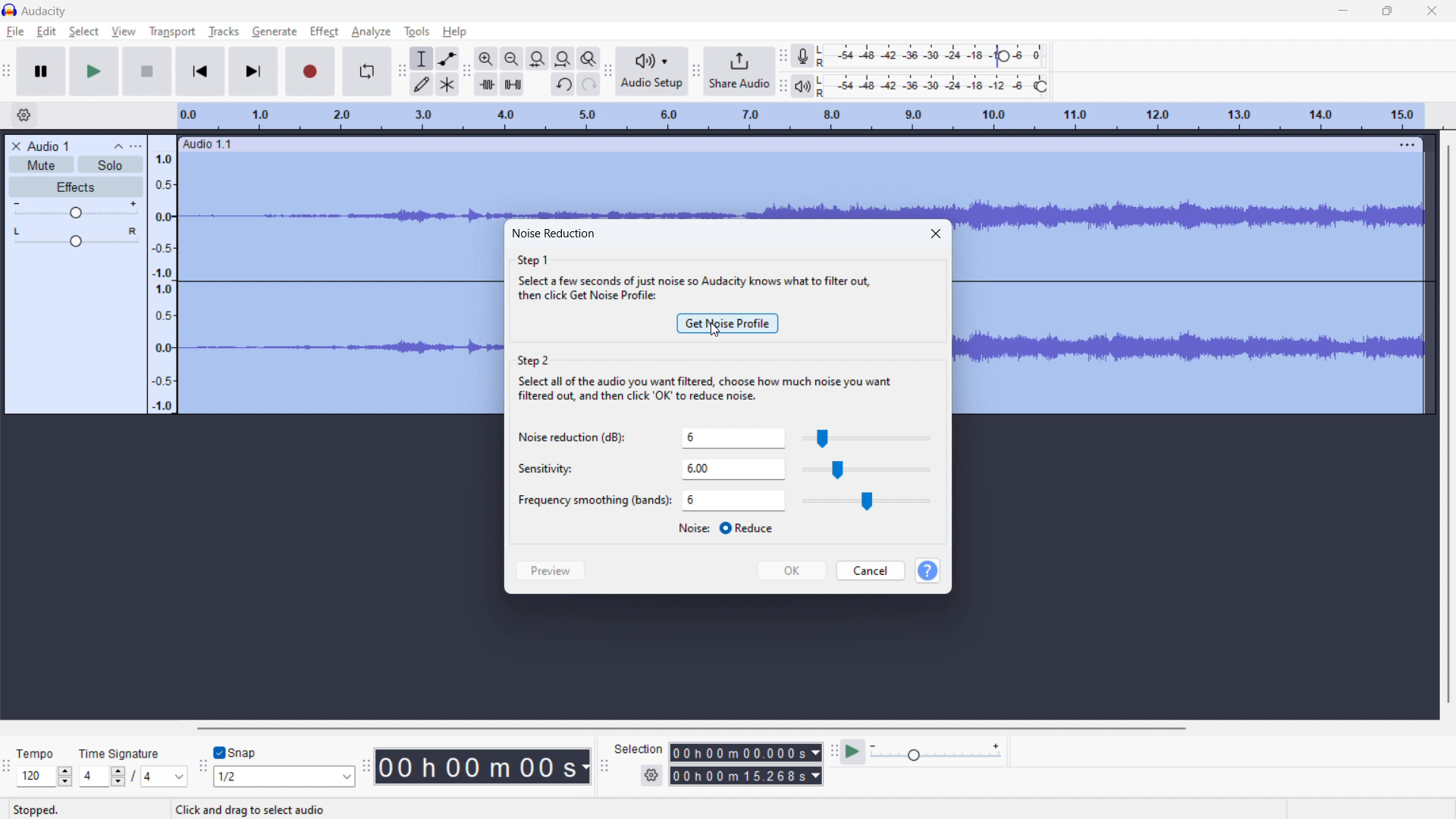 Image resolution: width=1456 pixels, height=819 pixels. I want to click on fit selection to width, so click(537, 59).